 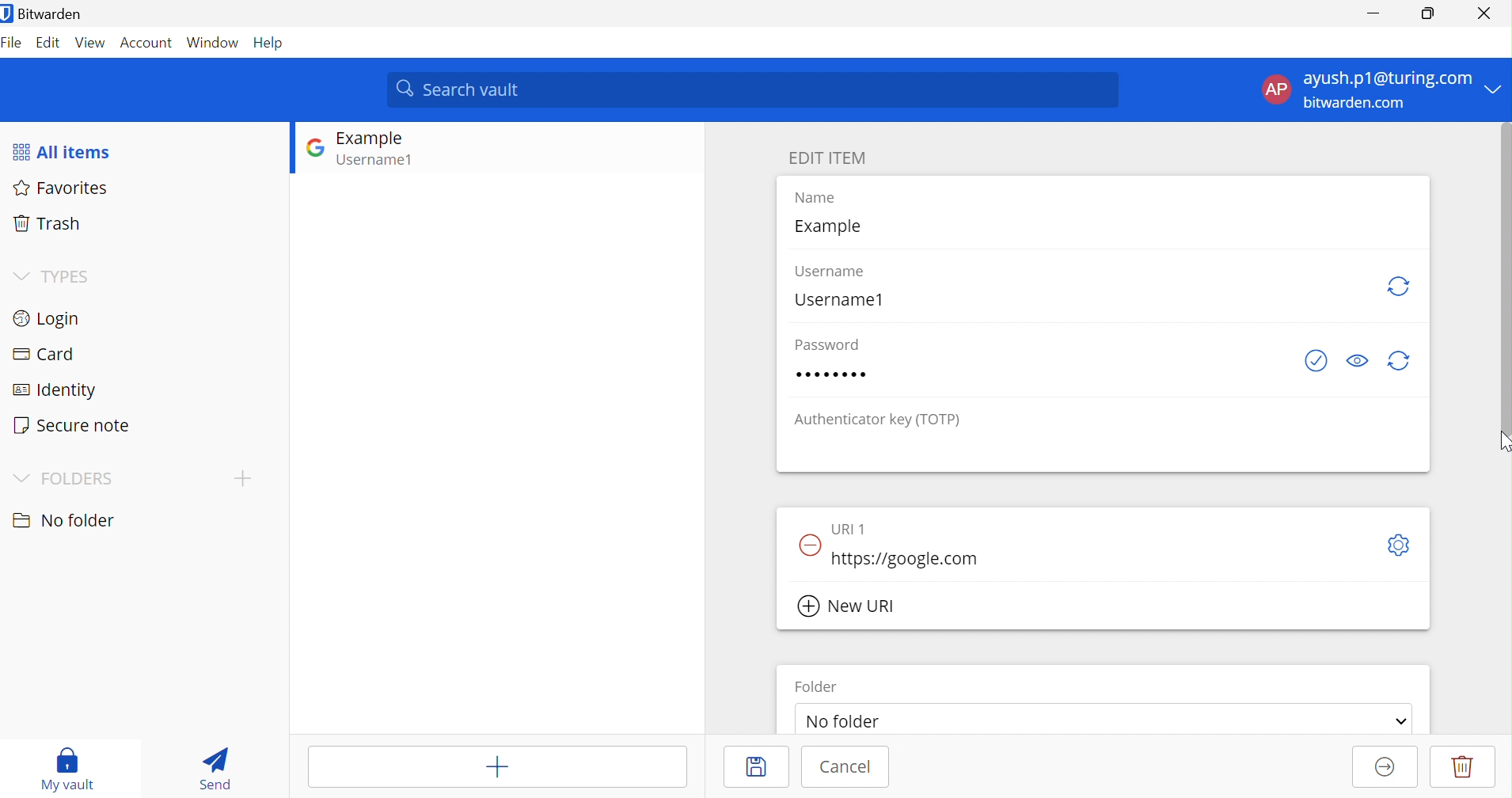 I want to click on Close, so click(x=1484, y=11).